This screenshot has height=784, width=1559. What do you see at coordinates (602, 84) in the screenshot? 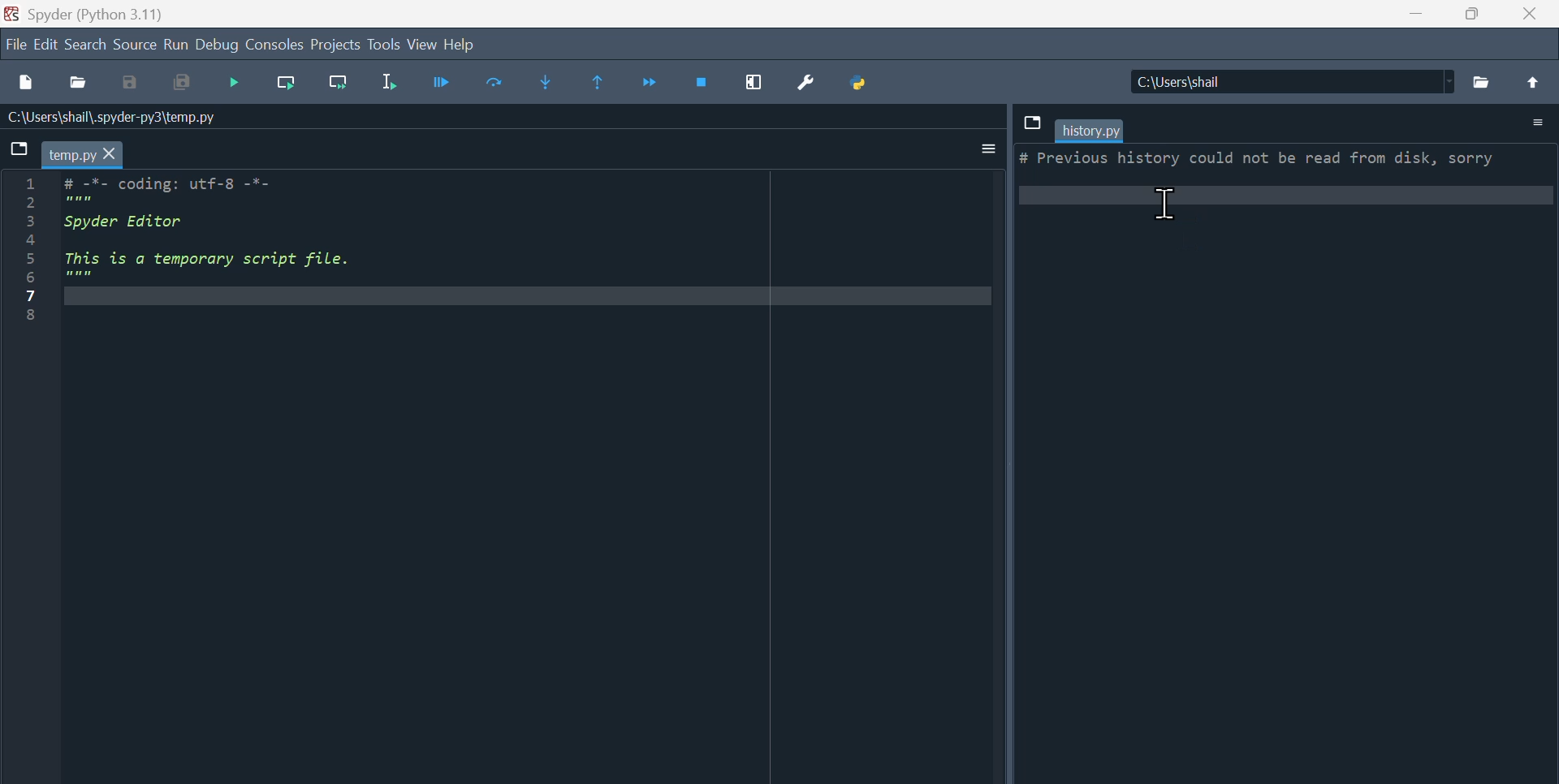
I see `Execute until same function returns` at bounding box center [602, 84].